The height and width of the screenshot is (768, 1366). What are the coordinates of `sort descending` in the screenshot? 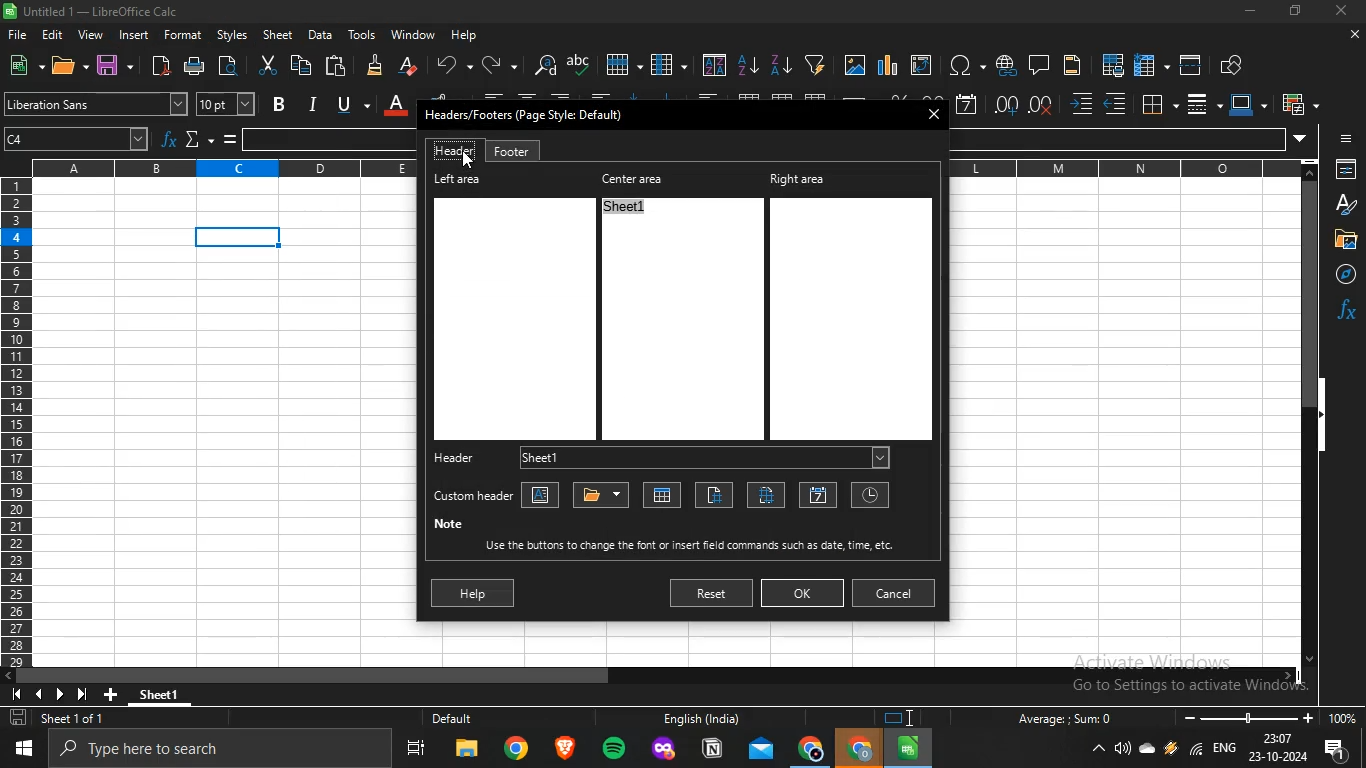 It's located at (780, 64).